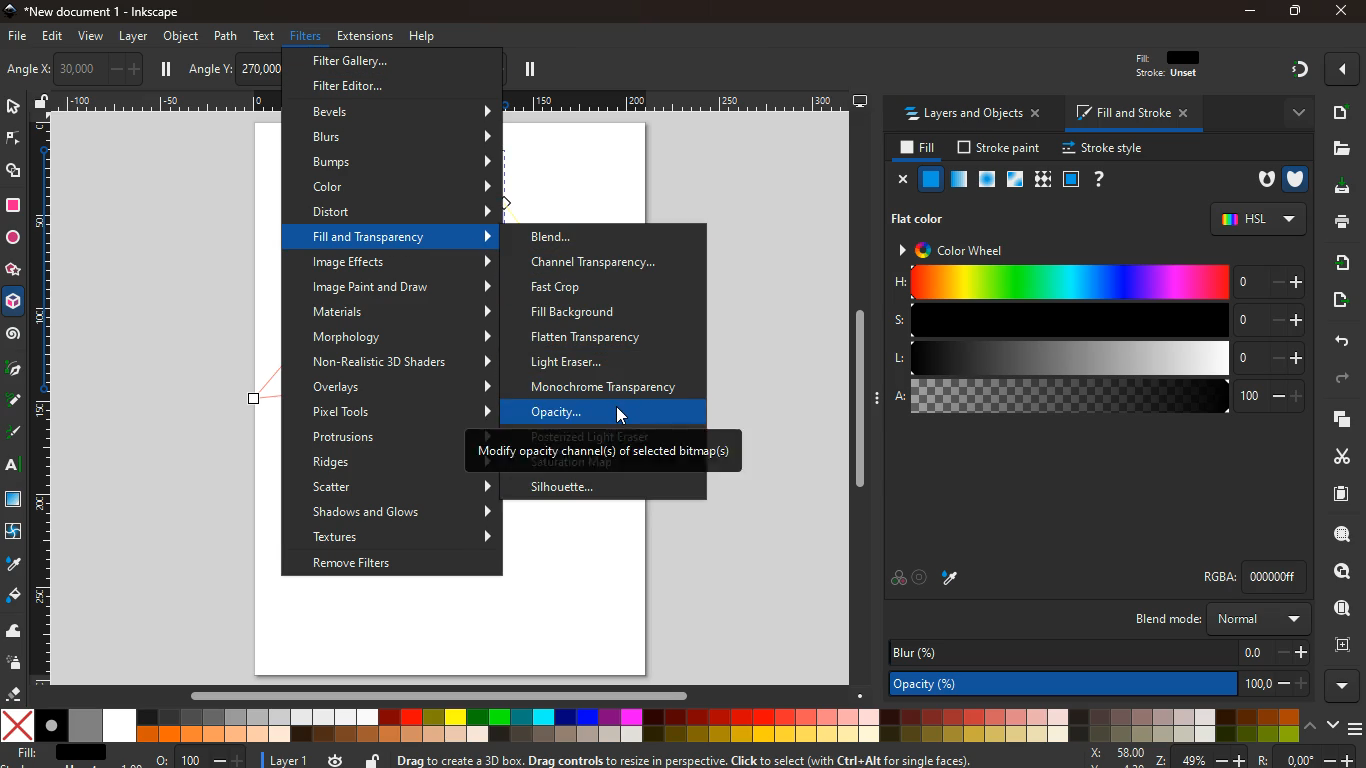 The height and width of the screenshot is (768, 1366). What do you see at coordinates (1293, 12) in the screenshot?
I see `Restore` at bounding box center [1293, 12].